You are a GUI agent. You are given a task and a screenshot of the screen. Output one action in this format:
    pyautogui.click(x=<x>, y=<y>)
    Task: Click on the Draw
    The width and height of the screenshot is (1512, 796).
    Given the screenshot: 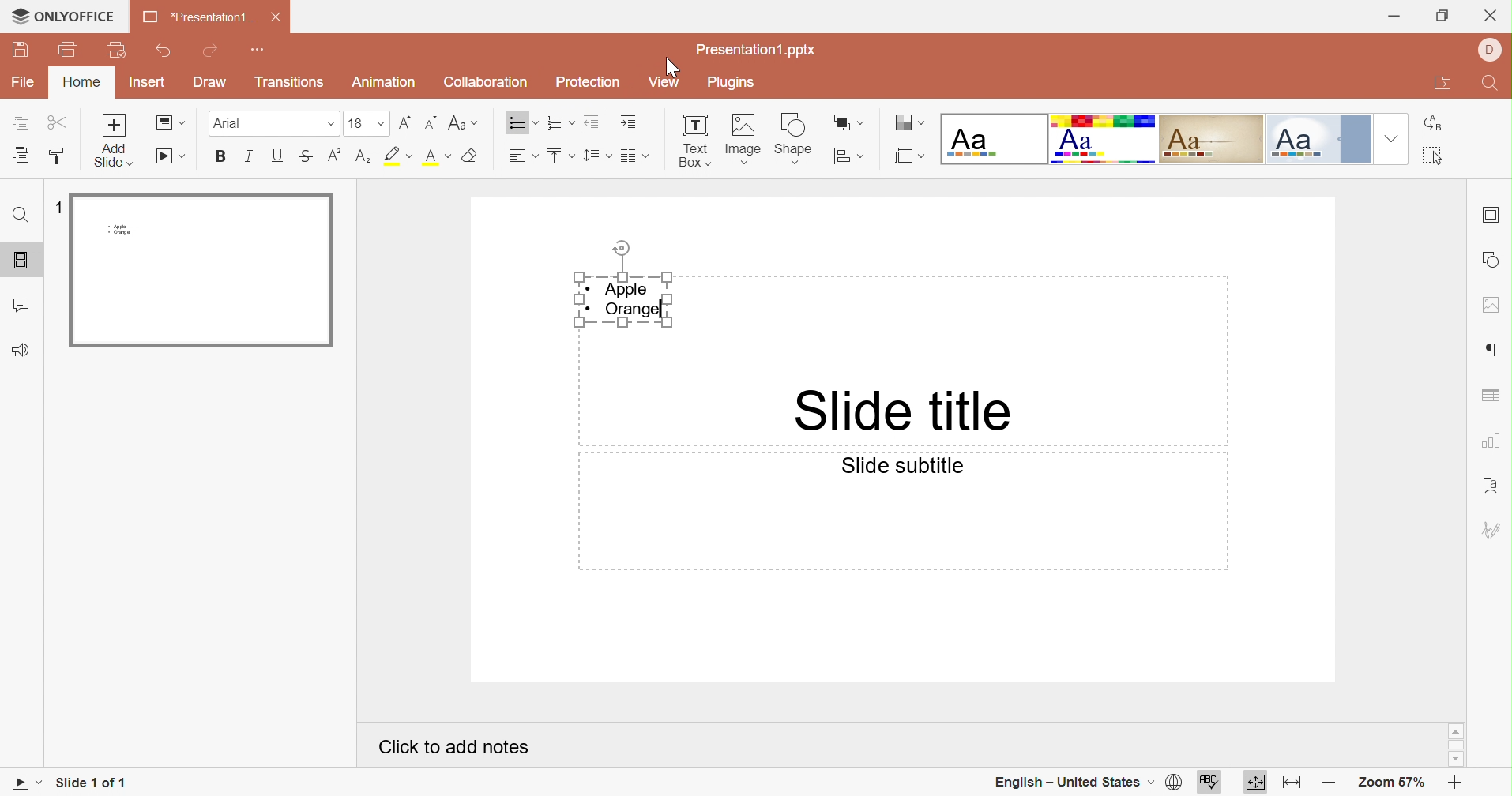 What is the action you would take?
    pyautogui.click(x=213, y=83)
    